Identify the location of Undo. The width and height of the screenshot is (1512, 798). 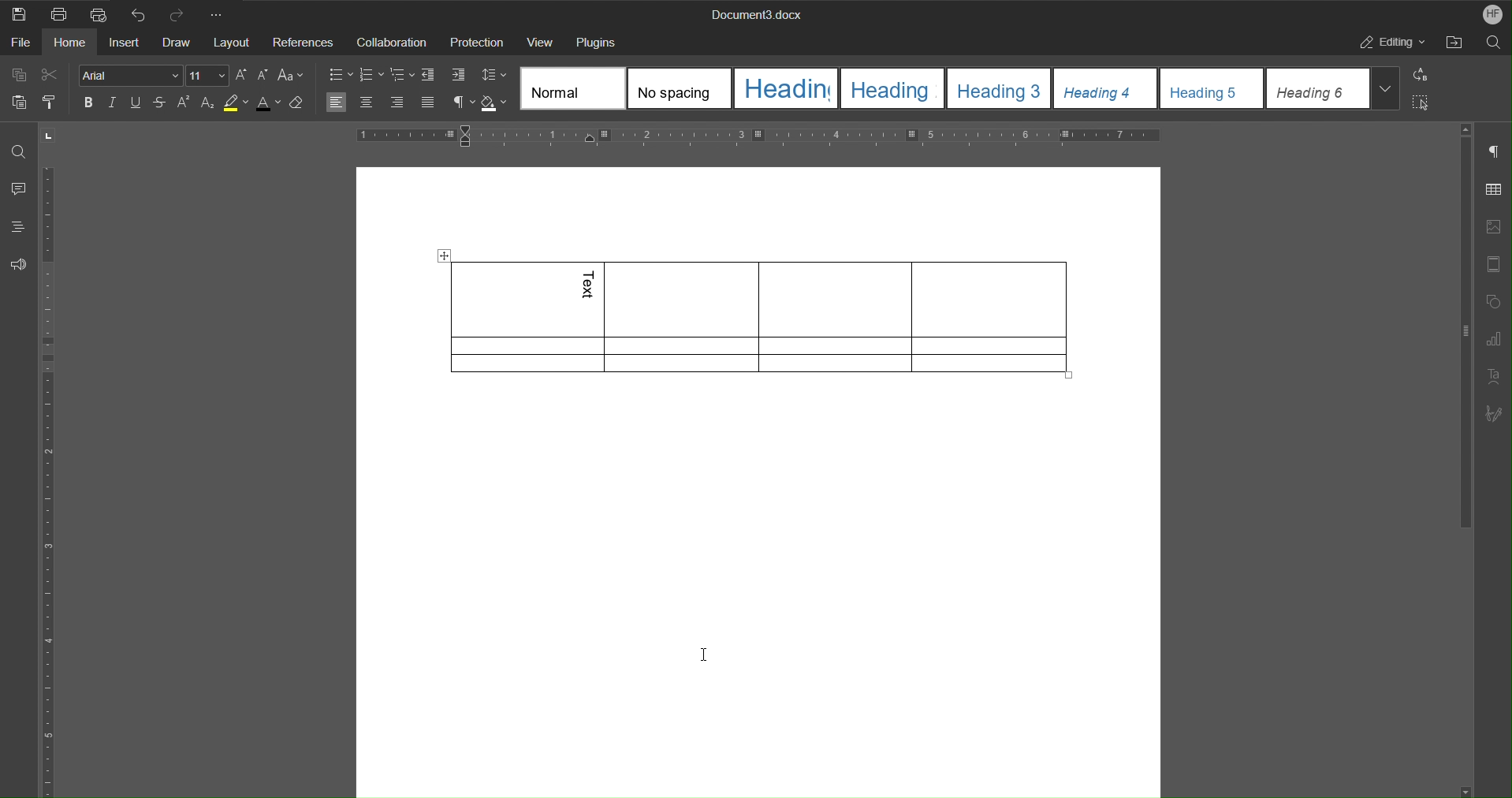
(138, 13).